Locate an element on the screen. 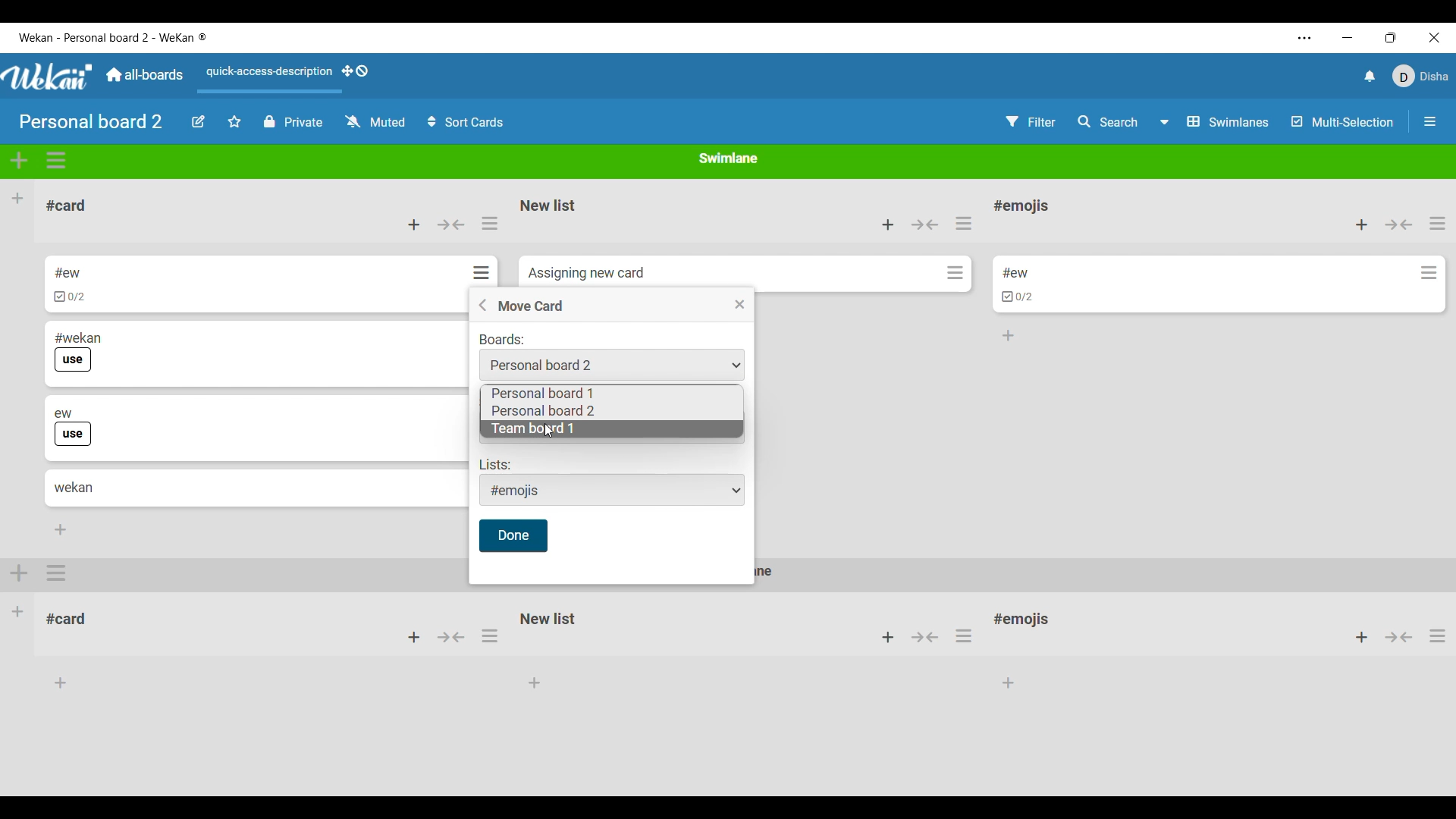  Card actions is located at coordinates (1429, 273).